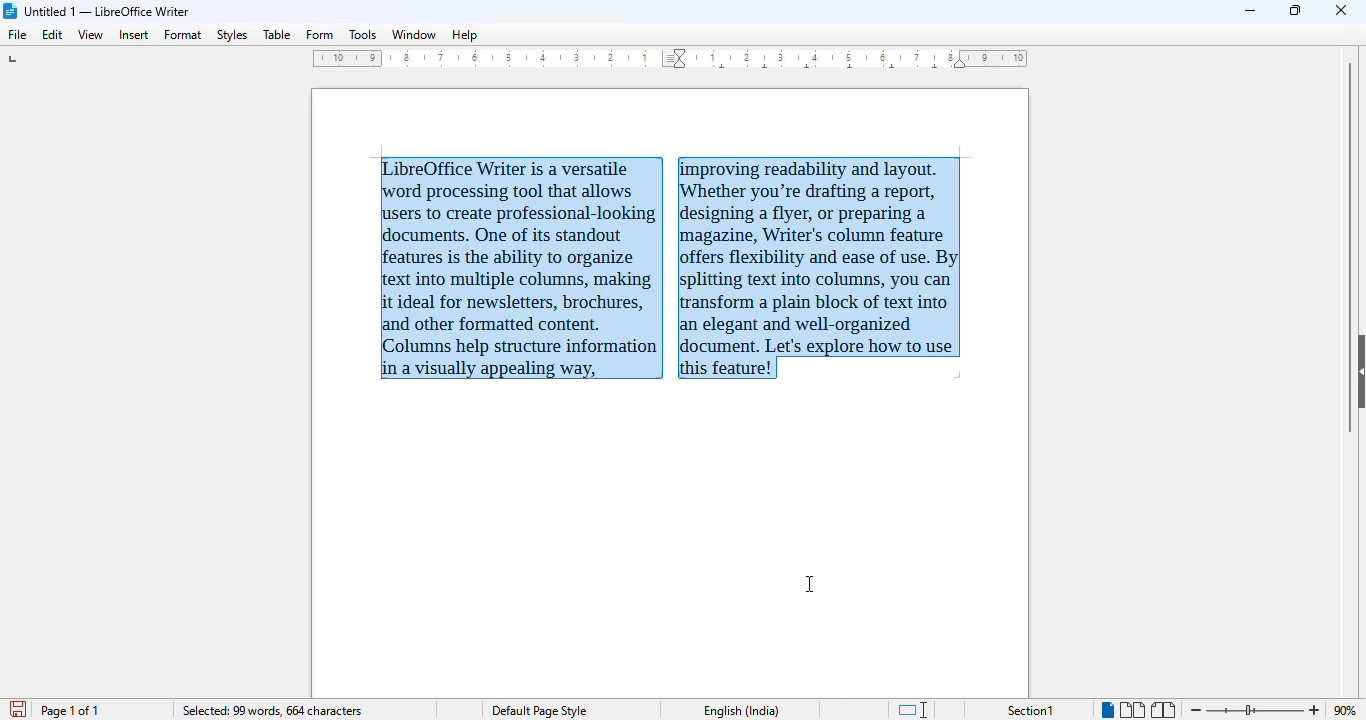 The width and height of the screenshot is (1366, 720). I want to click on Default page style, so click(538, 711).